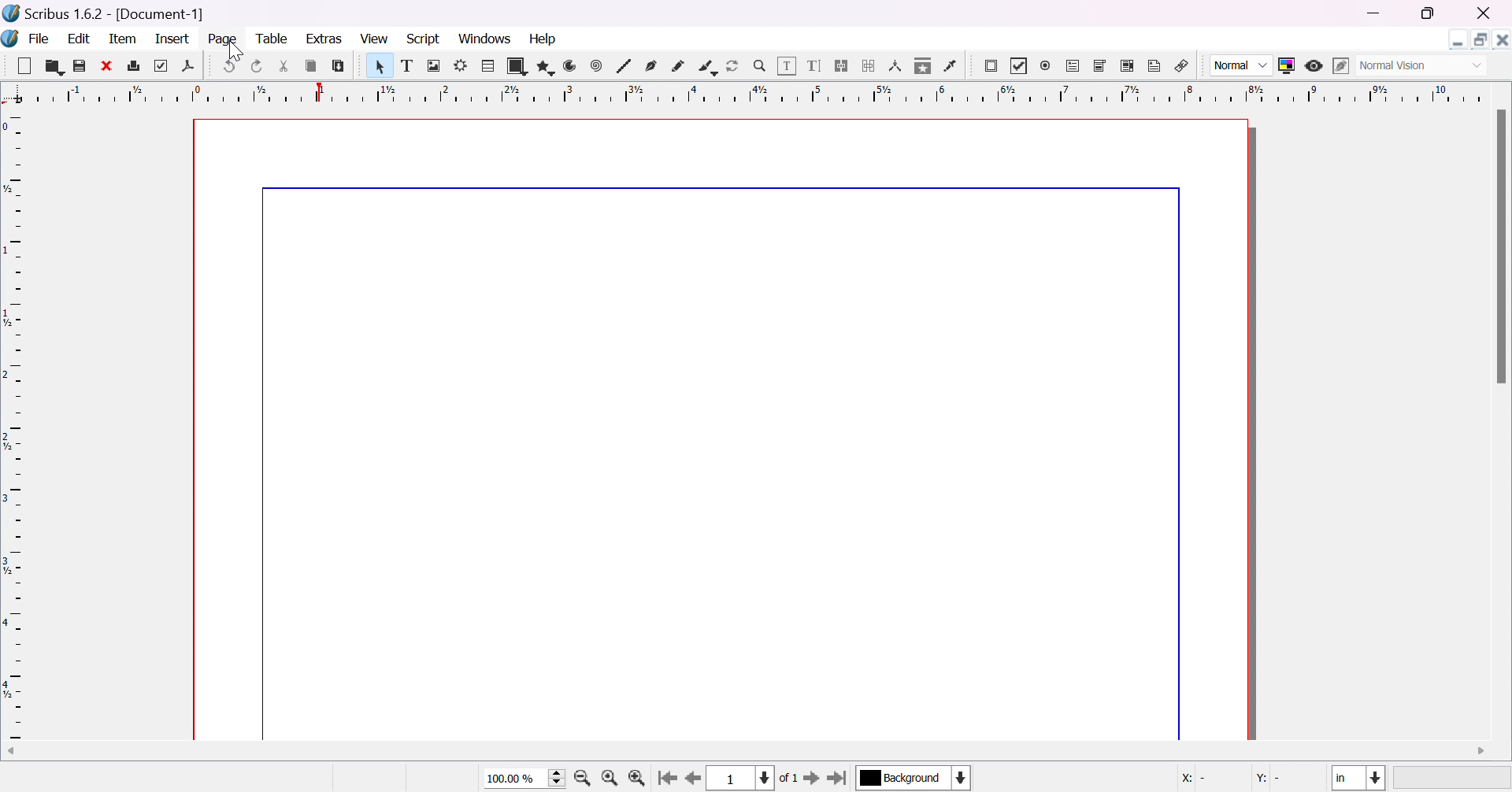 The height and width of the screenshot is (792, 1512). I want to click on calligraphic line, so click(708, 67).